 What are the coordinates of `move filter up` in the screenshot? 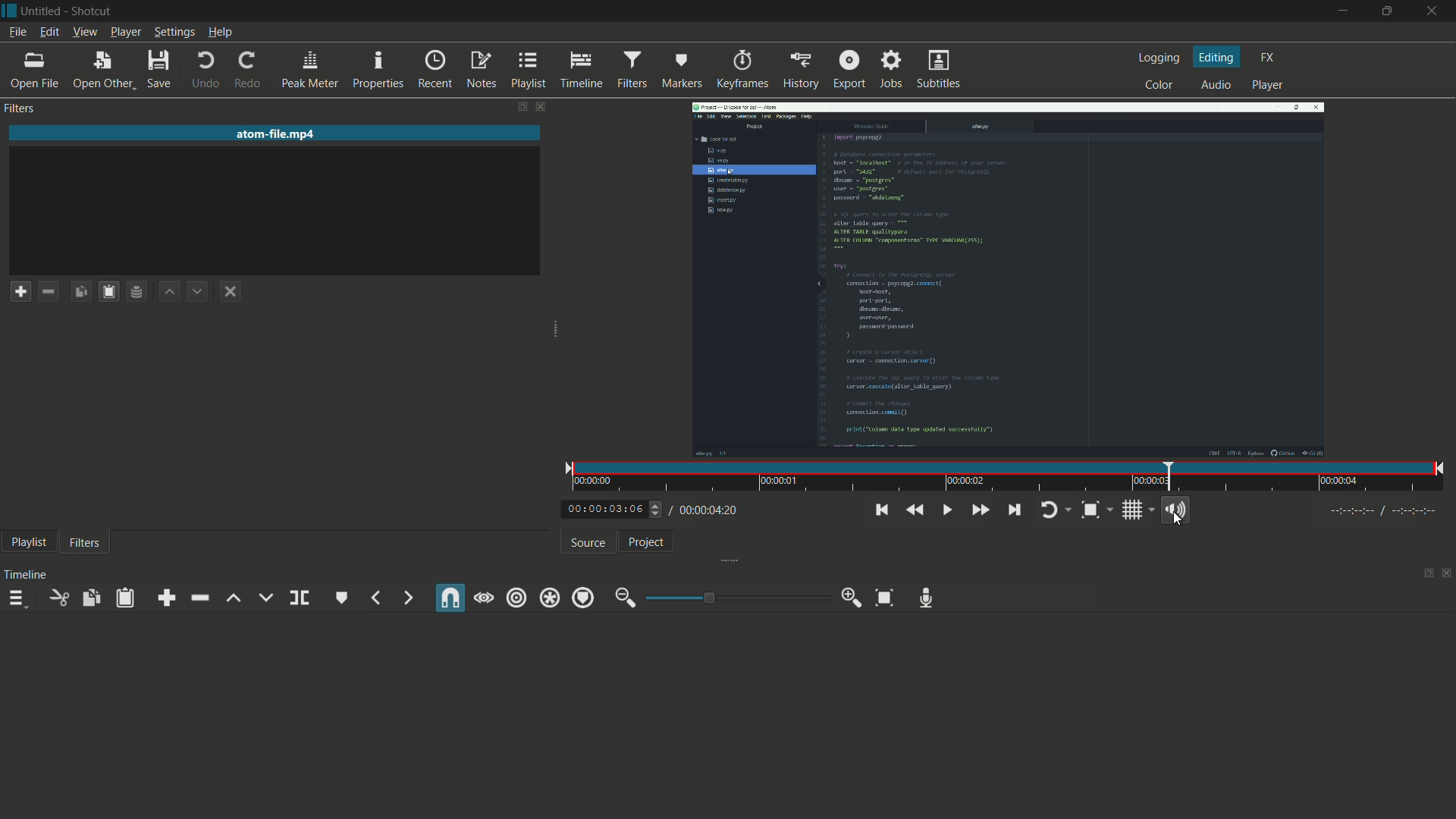 It's located at (170, 292).